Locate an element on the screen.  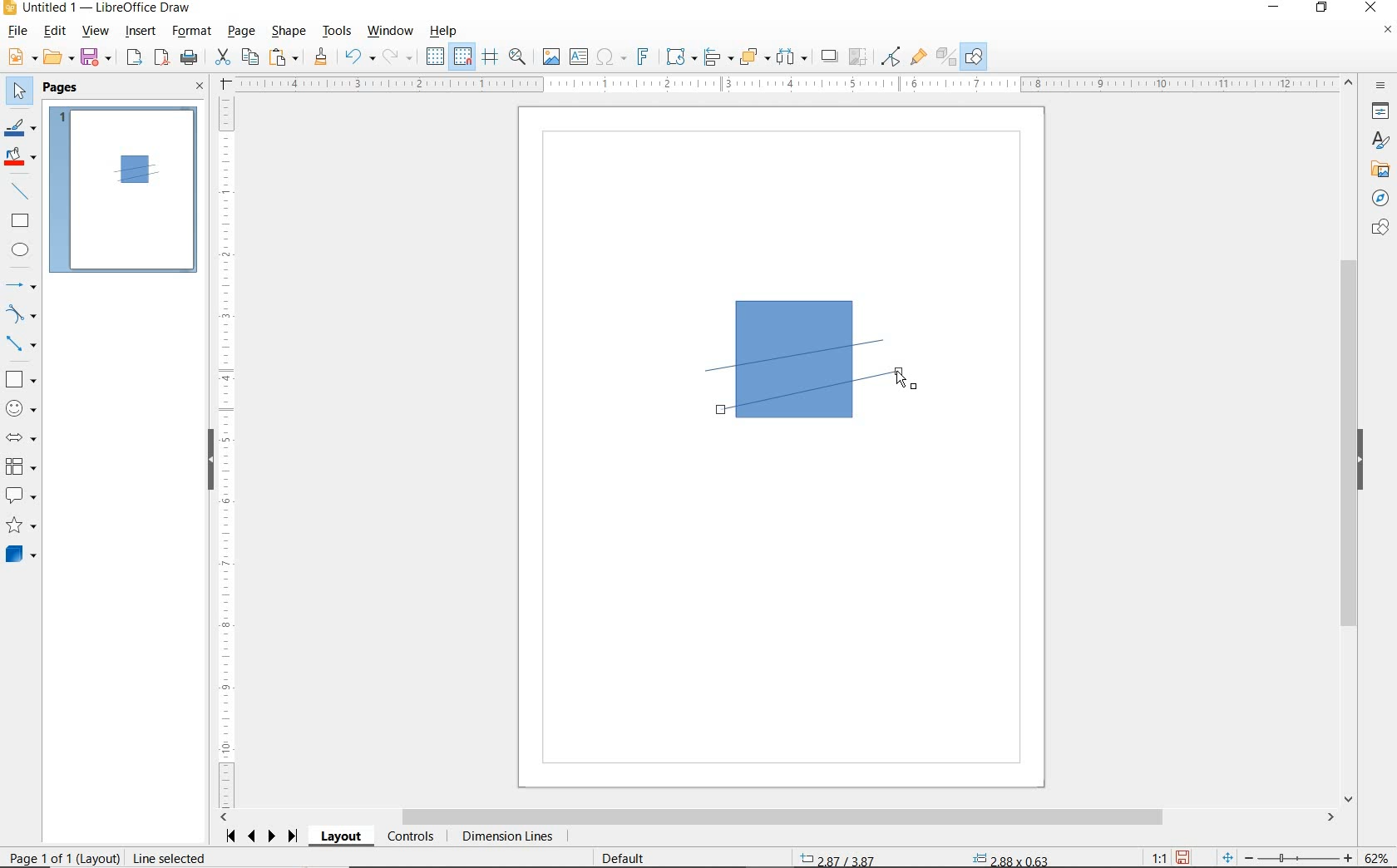
EXPORT AS PDF is located at coordinates (163, 59).